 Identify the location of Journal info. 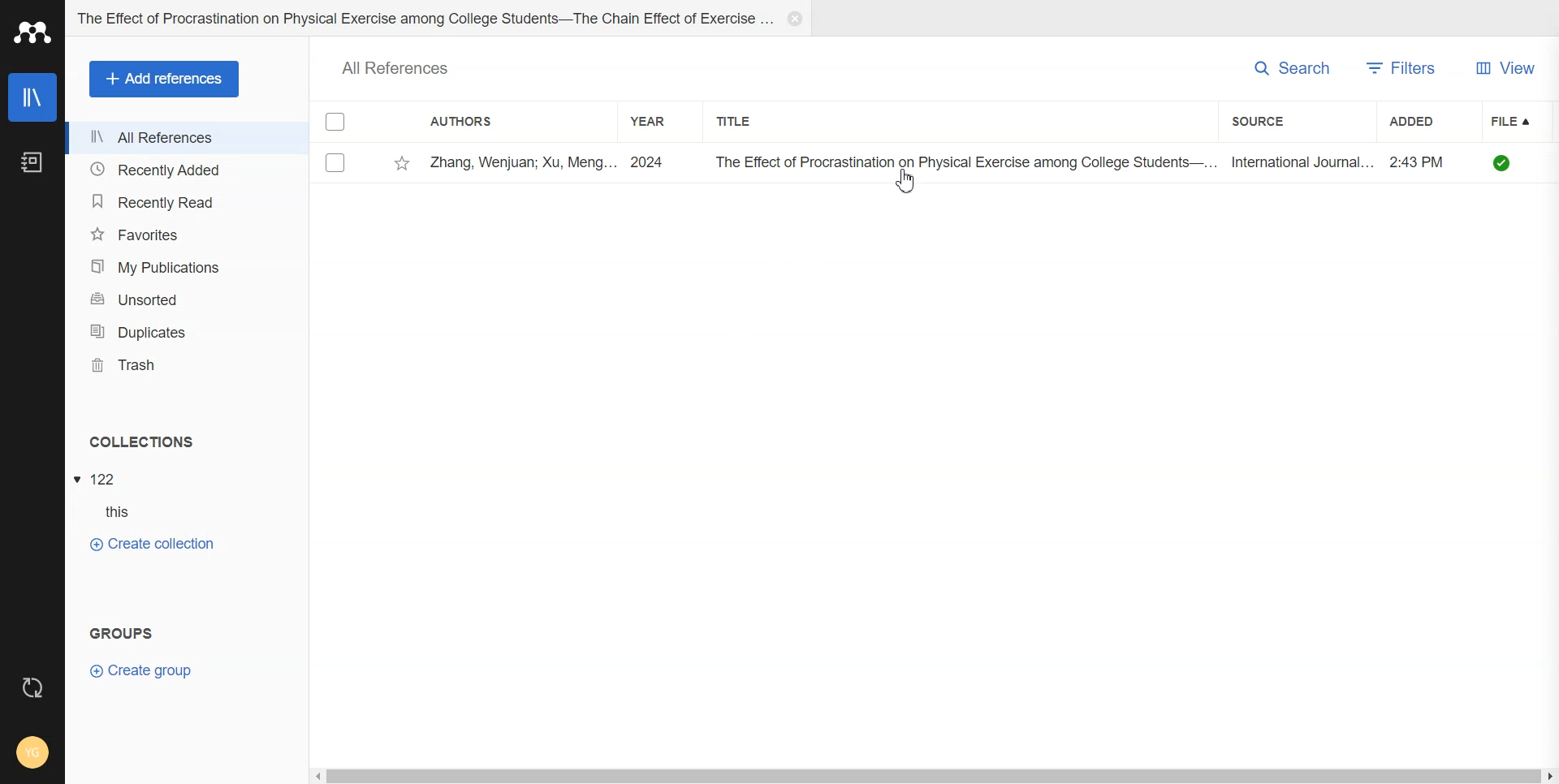
(988, 163).